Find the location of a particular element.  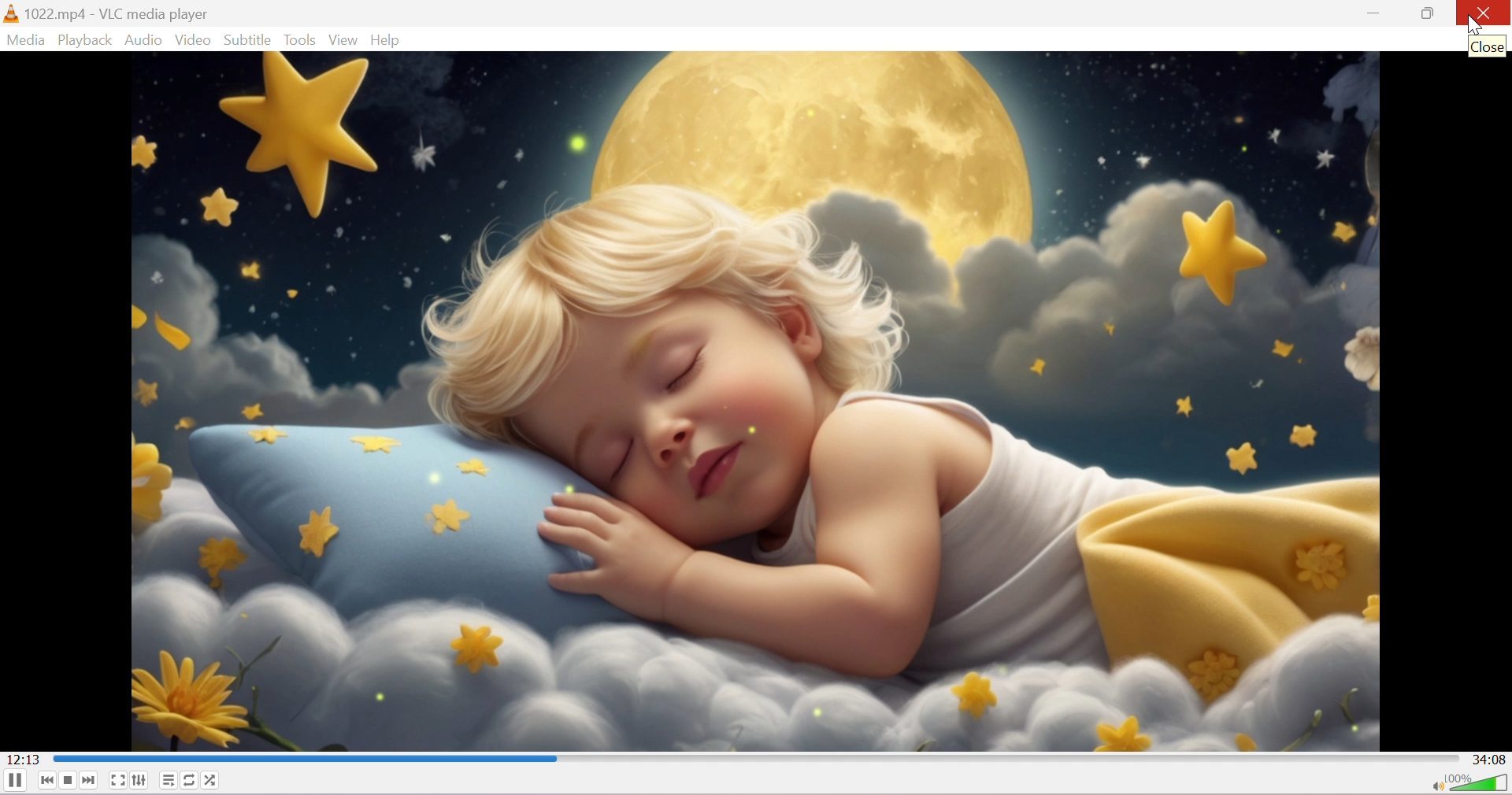

Volume is located at coordinates (1480, 784).